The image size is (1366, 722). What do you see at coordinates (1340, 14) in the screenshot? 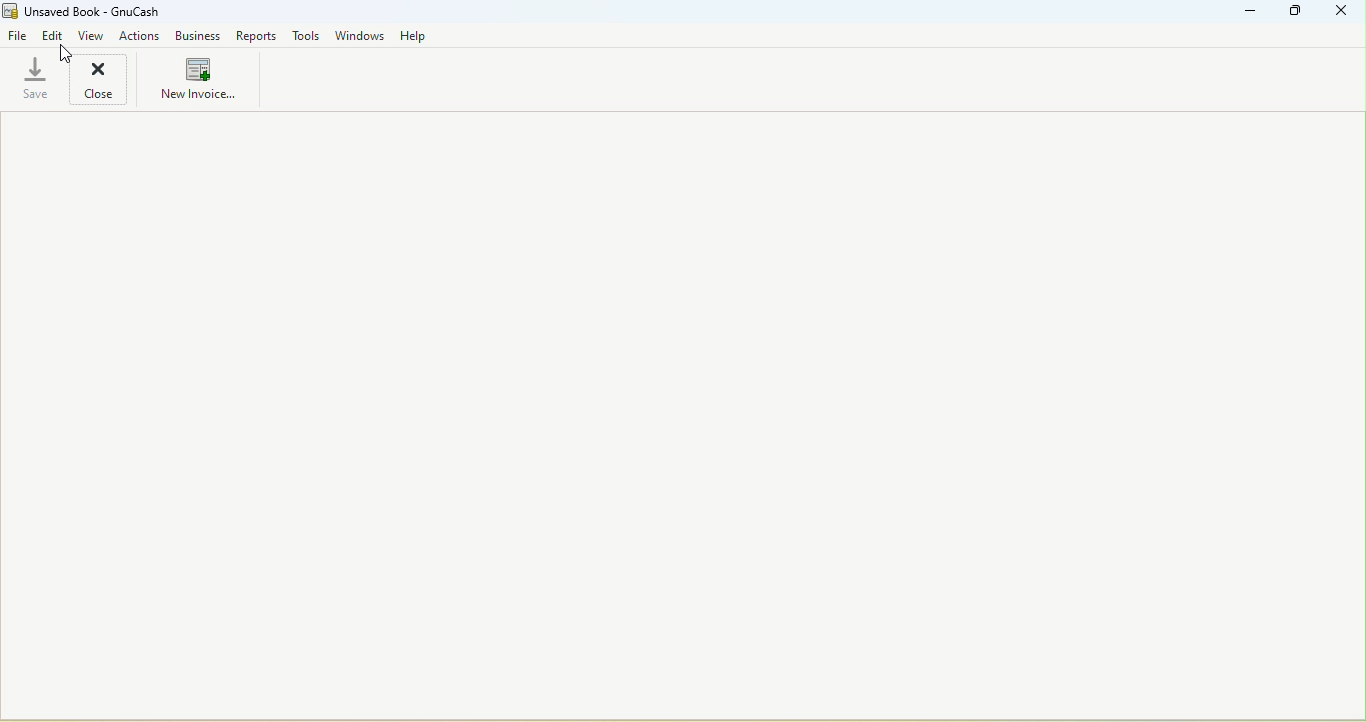
I see `Close` at bounding box center [1340, 14].